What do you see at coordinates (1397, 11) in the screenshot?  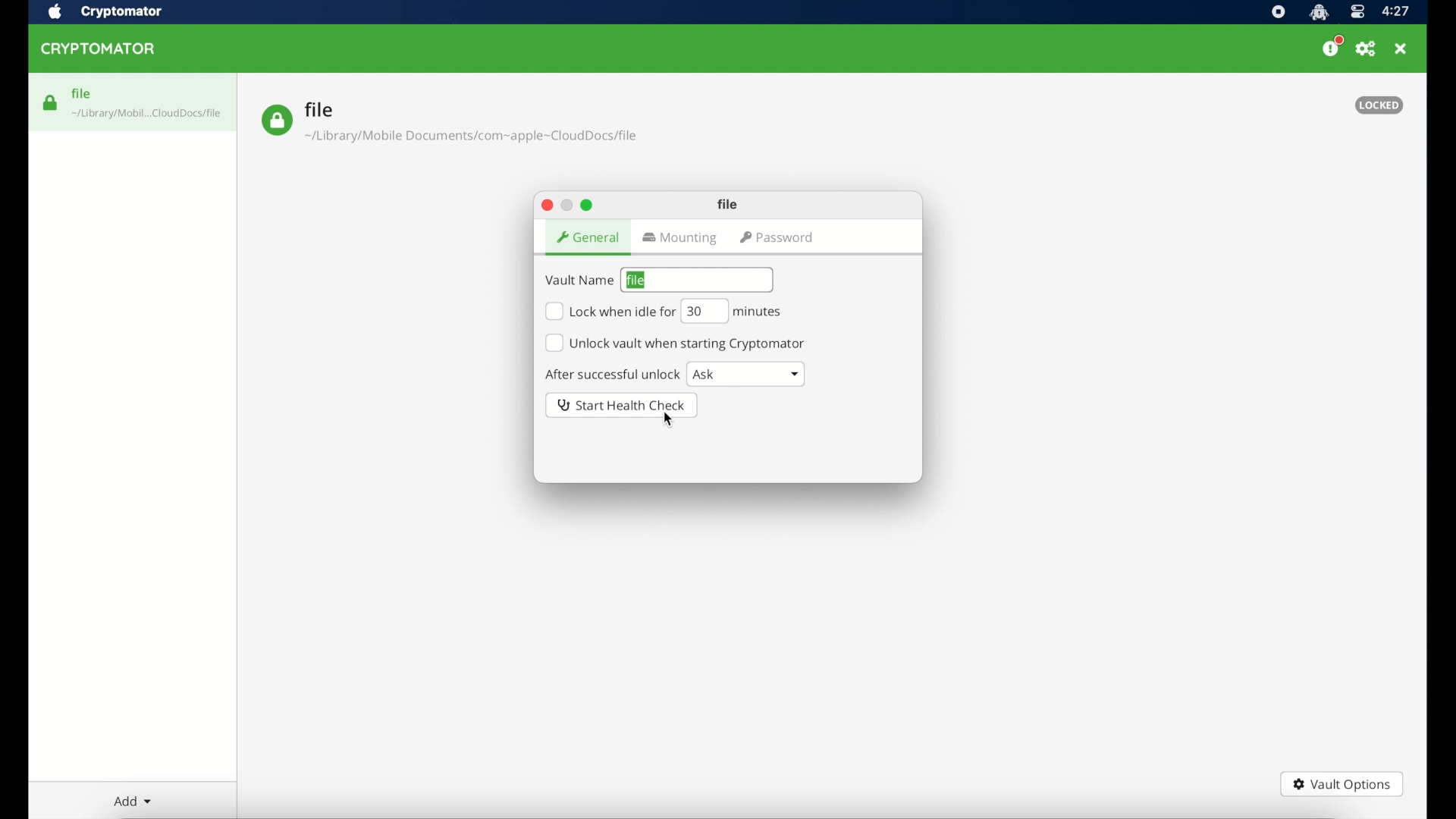 I see `time` at bounding box center [1397, 11].